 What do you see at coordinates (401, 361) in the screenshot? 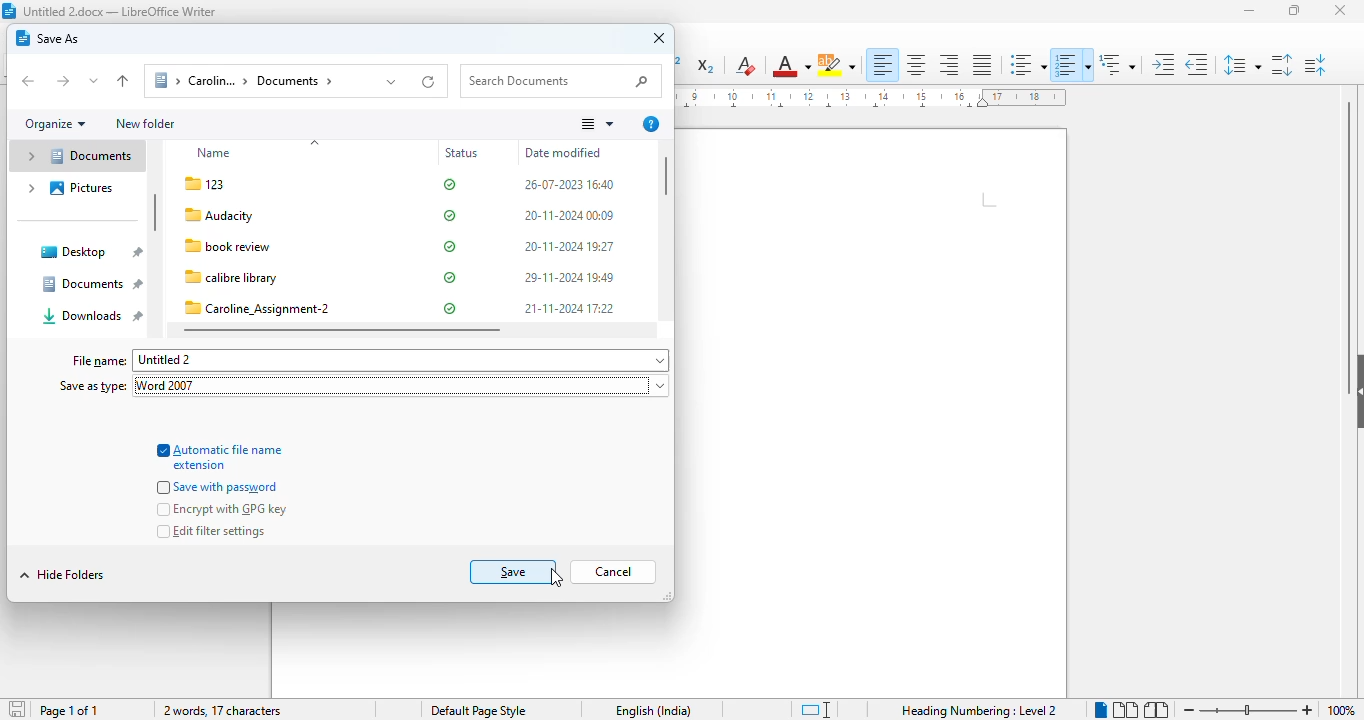
I see `untitled 2` at bounding box center [401, 361].